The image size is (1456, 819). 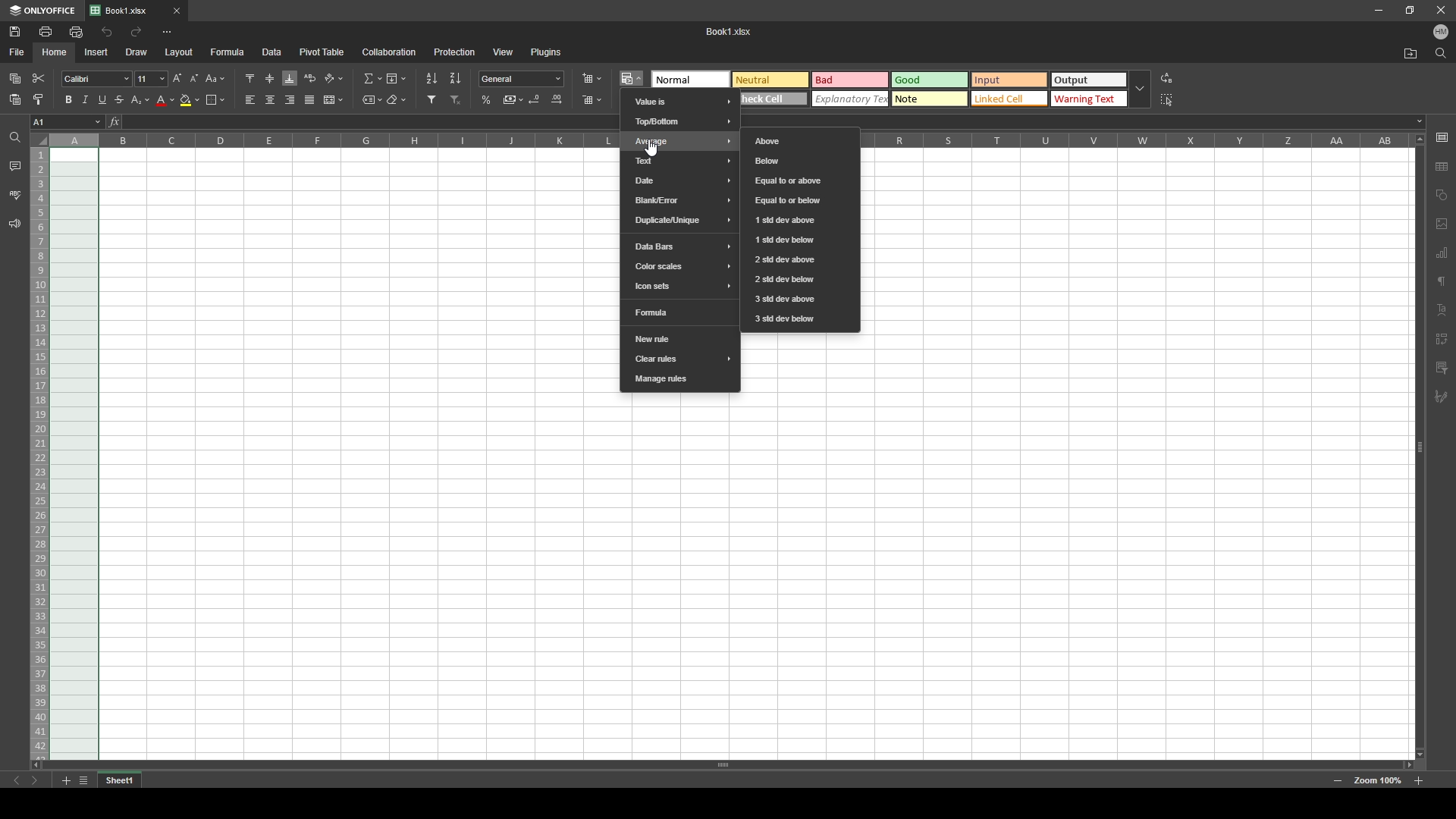 I want to click on fill, so click(x=395, y=78).